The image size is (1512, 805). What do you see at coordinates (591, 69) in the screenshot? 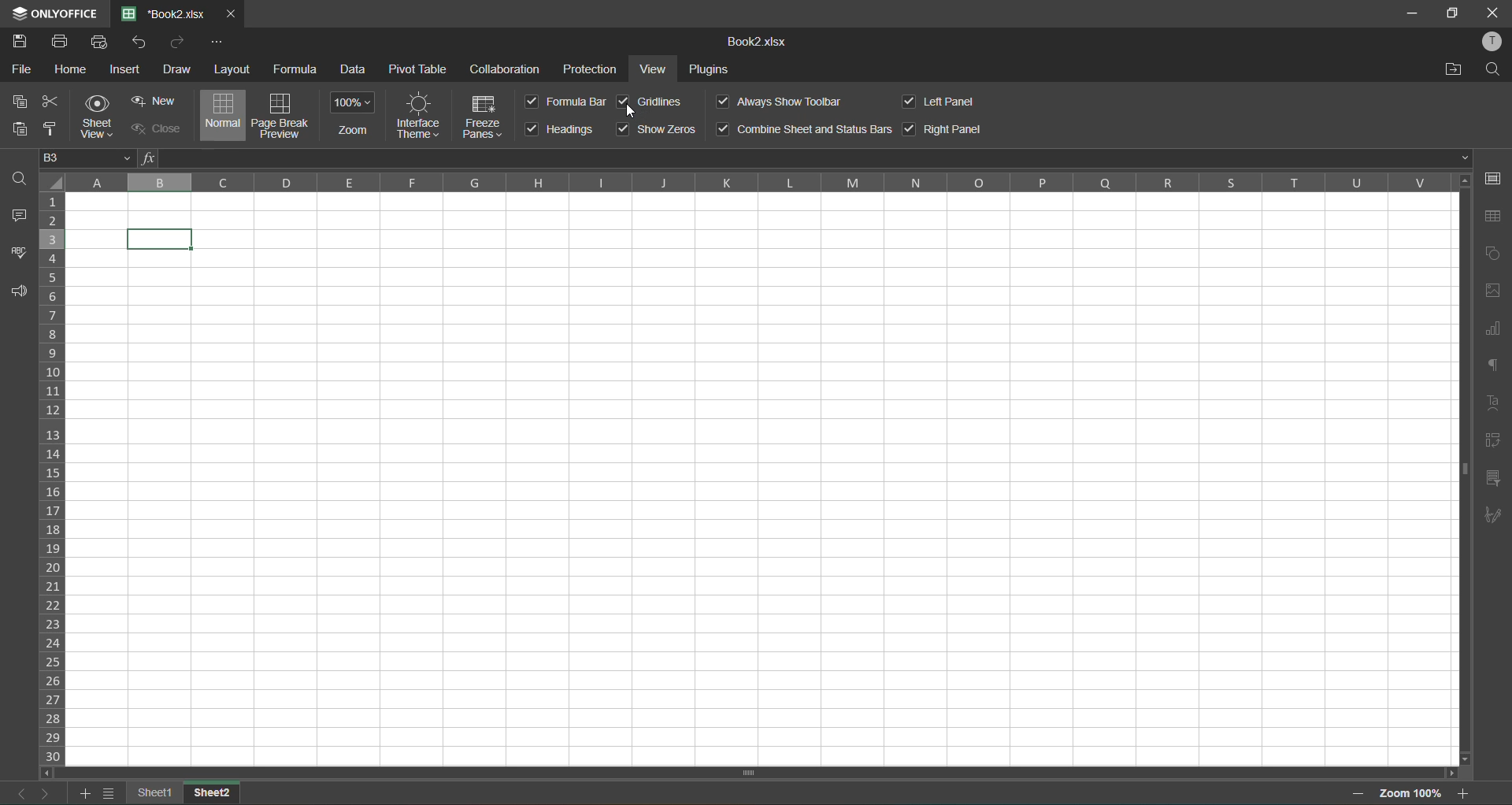
I see `protection` at bounding box center [591, 69].